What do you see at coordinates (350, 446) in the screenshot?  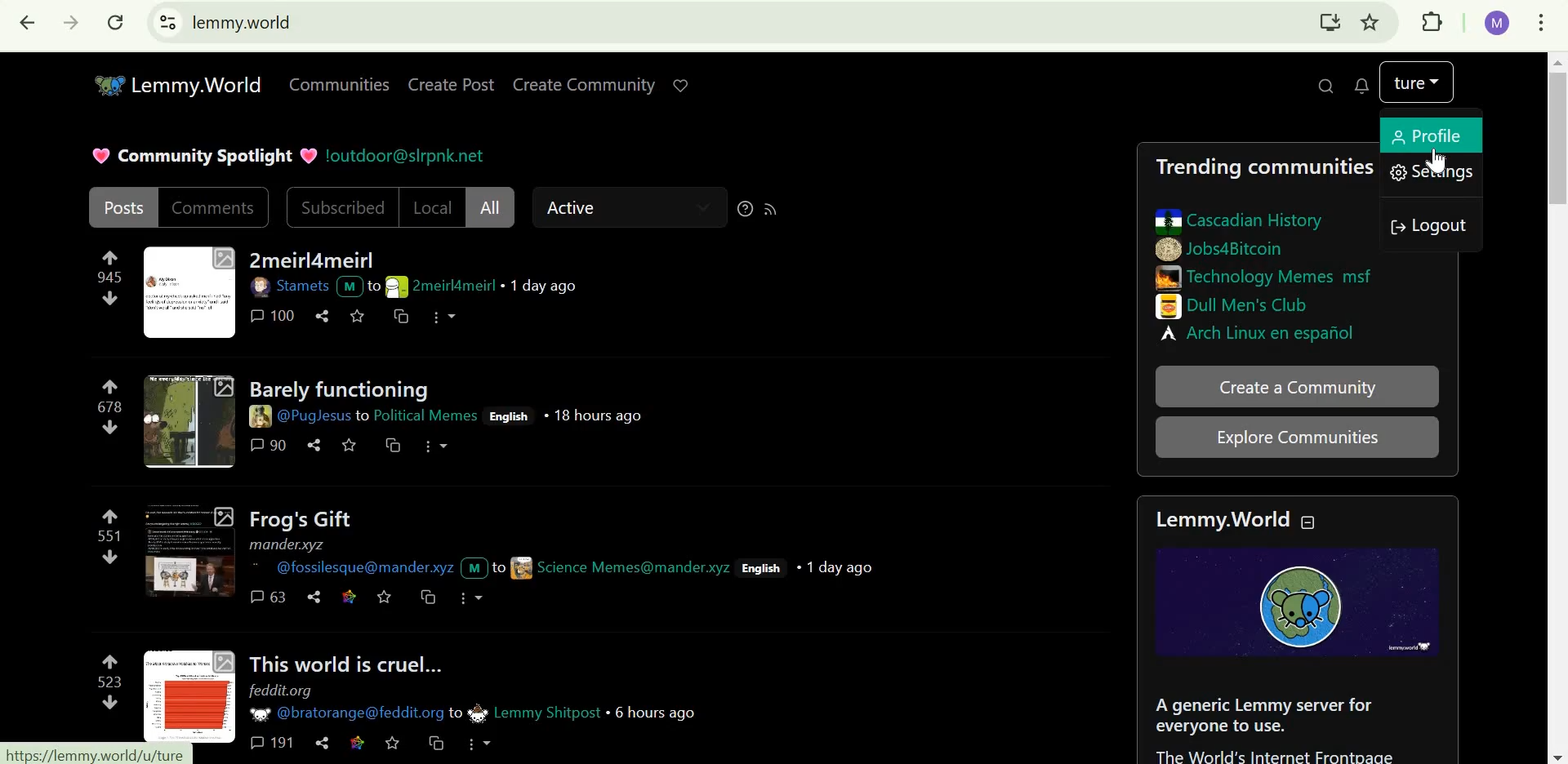 I see `save` at bounding box center [350, 446].